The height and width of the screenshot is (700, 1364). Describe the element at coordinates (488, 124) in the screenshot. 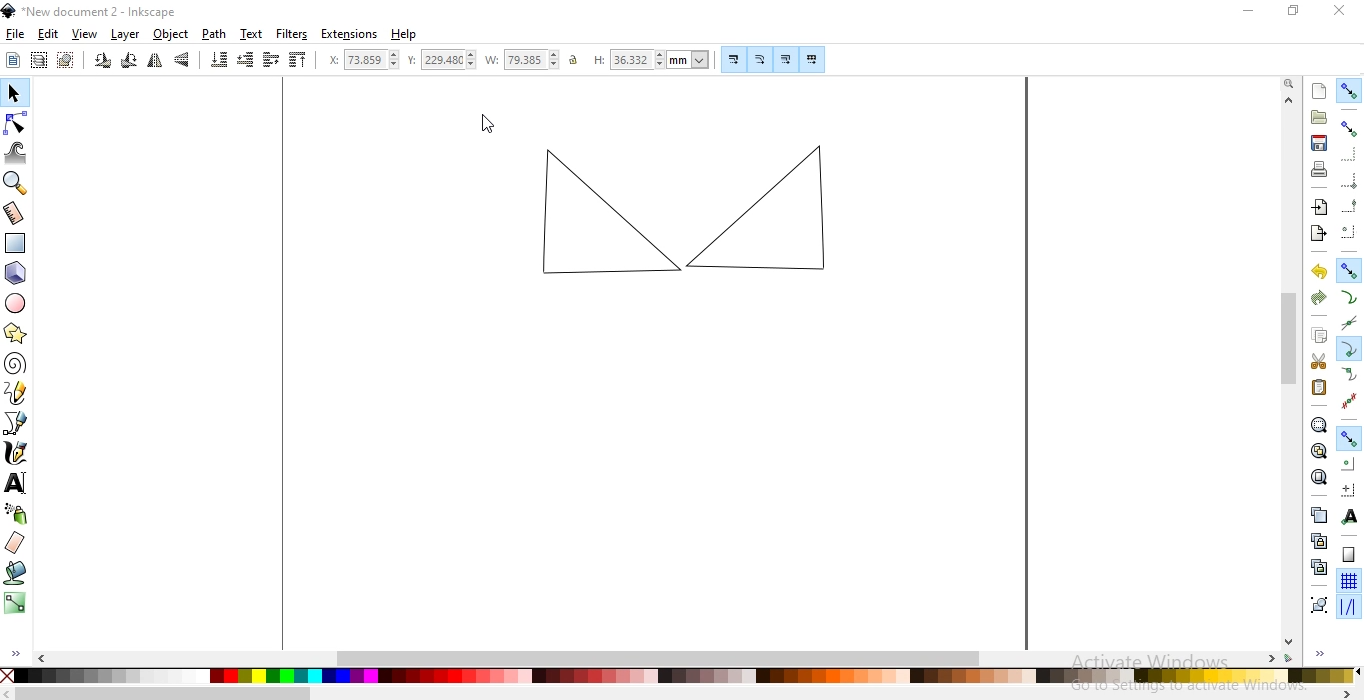

I see `cursor` at that location.